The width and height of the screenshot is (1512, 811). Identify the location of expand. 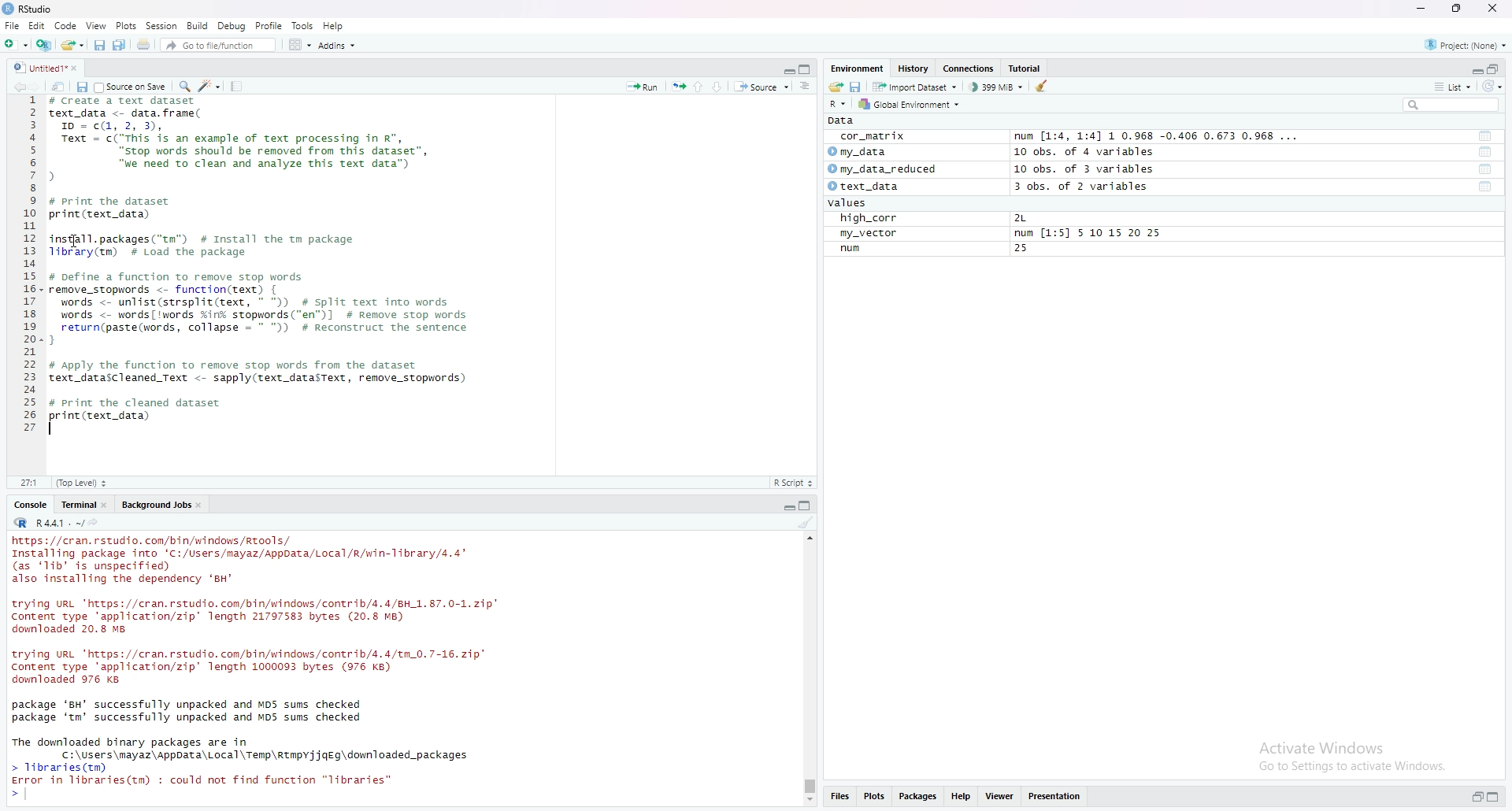
(787, 508).